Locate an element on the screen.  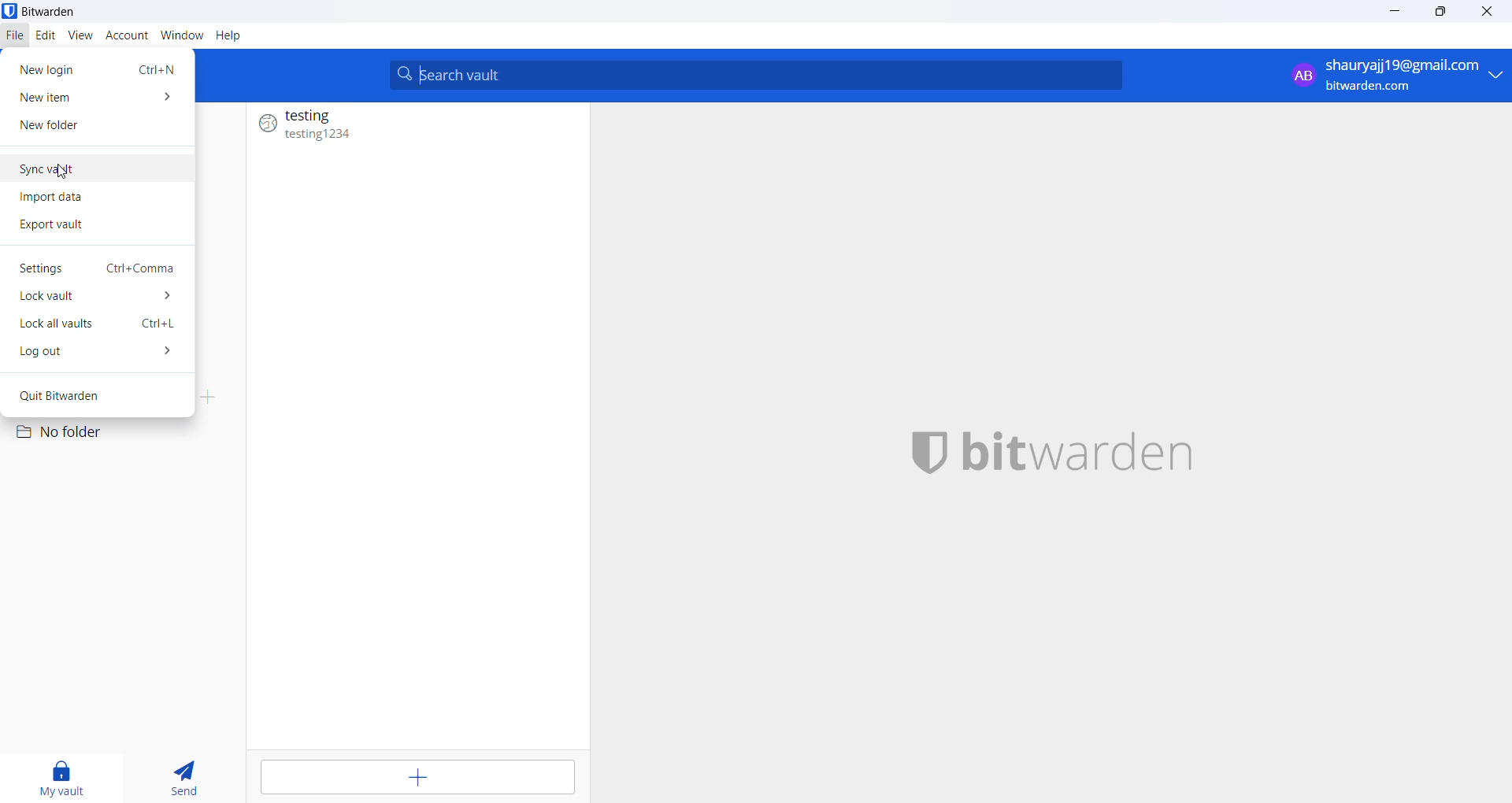
quit bitwarden is located at coordinates (83, 397).